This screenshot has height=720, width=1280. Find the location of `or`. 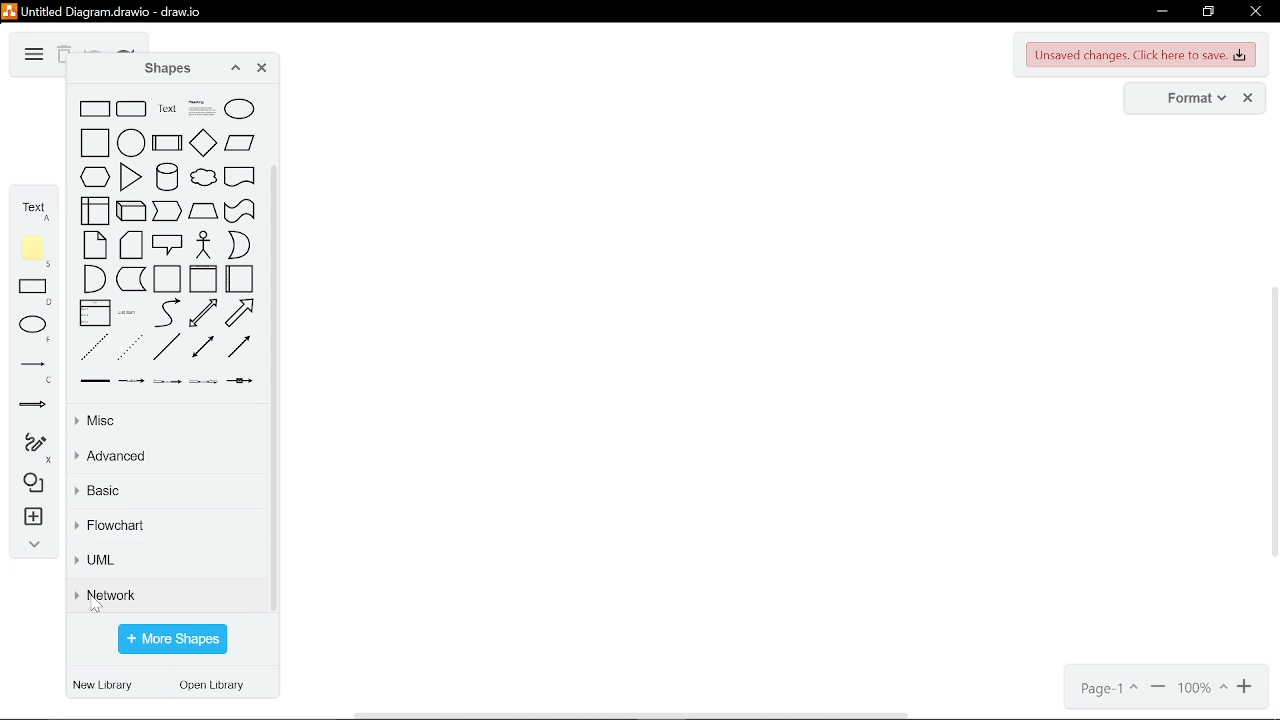

or is located at coordinates (239, 245).